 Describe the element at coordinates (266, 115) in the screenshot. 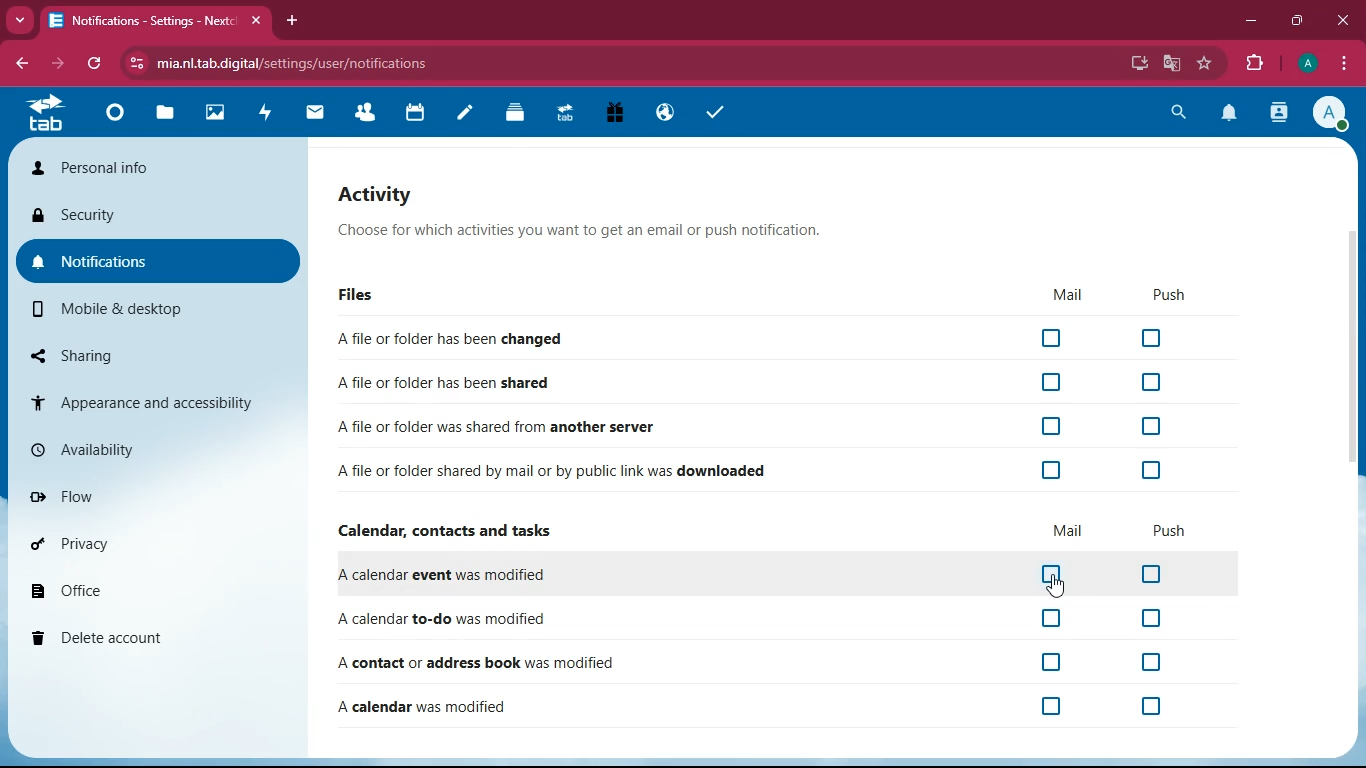

I see `activity` at that location.